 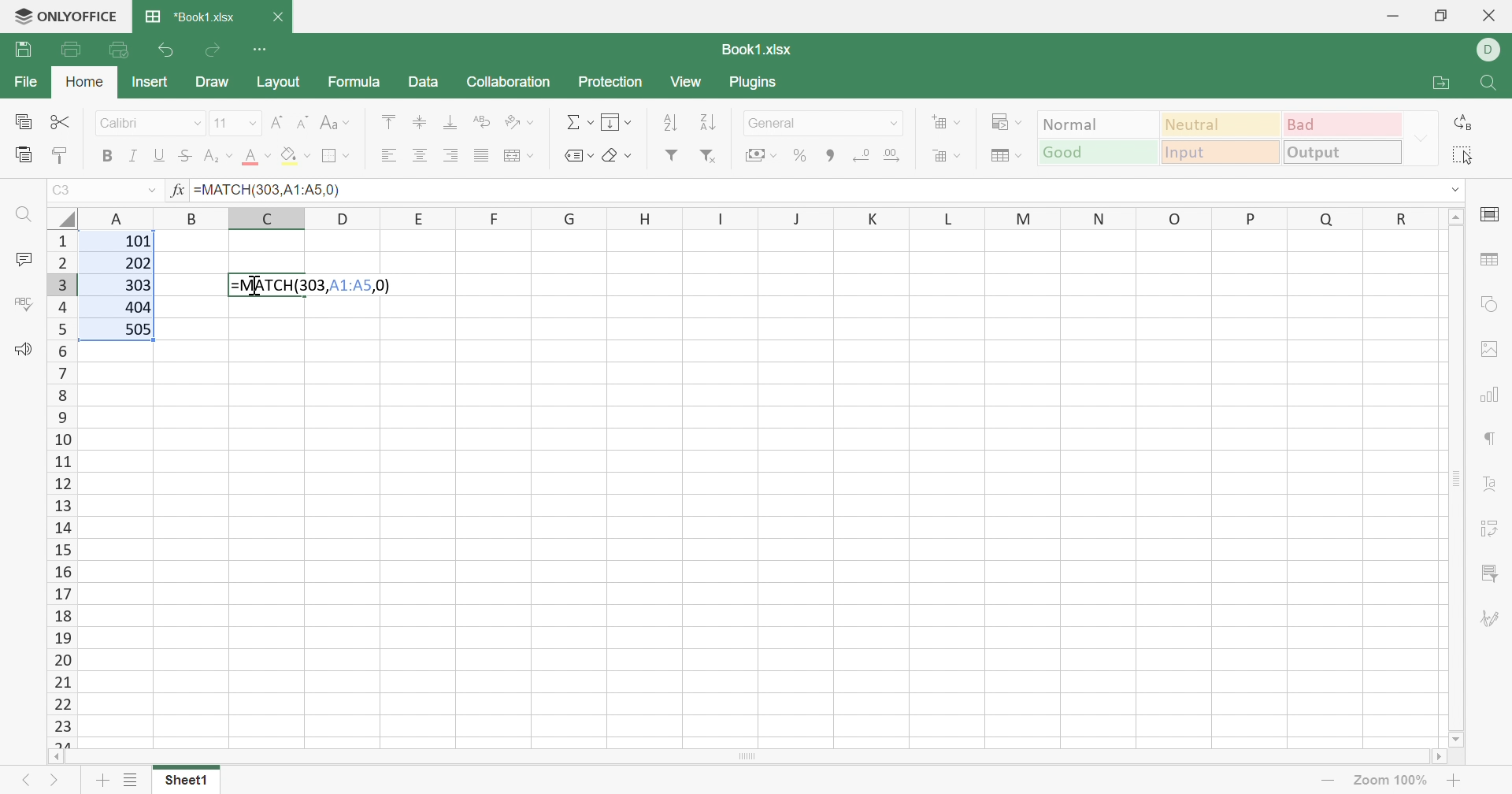 I want to click on Drop Down, so click(x=152, y=191).